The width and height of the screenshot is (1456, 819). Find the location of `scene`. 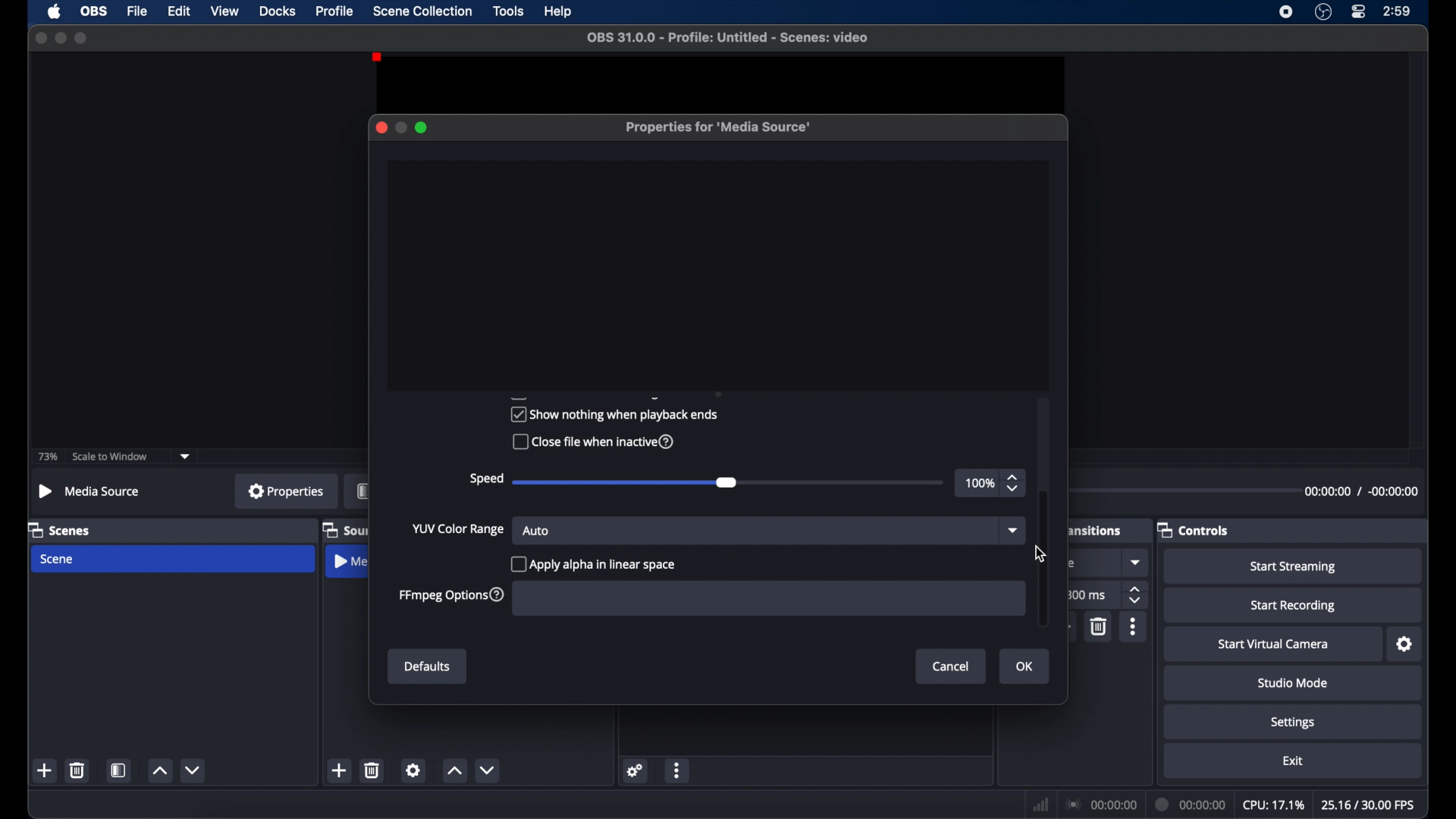

scene is located at coordinates (58, 560).